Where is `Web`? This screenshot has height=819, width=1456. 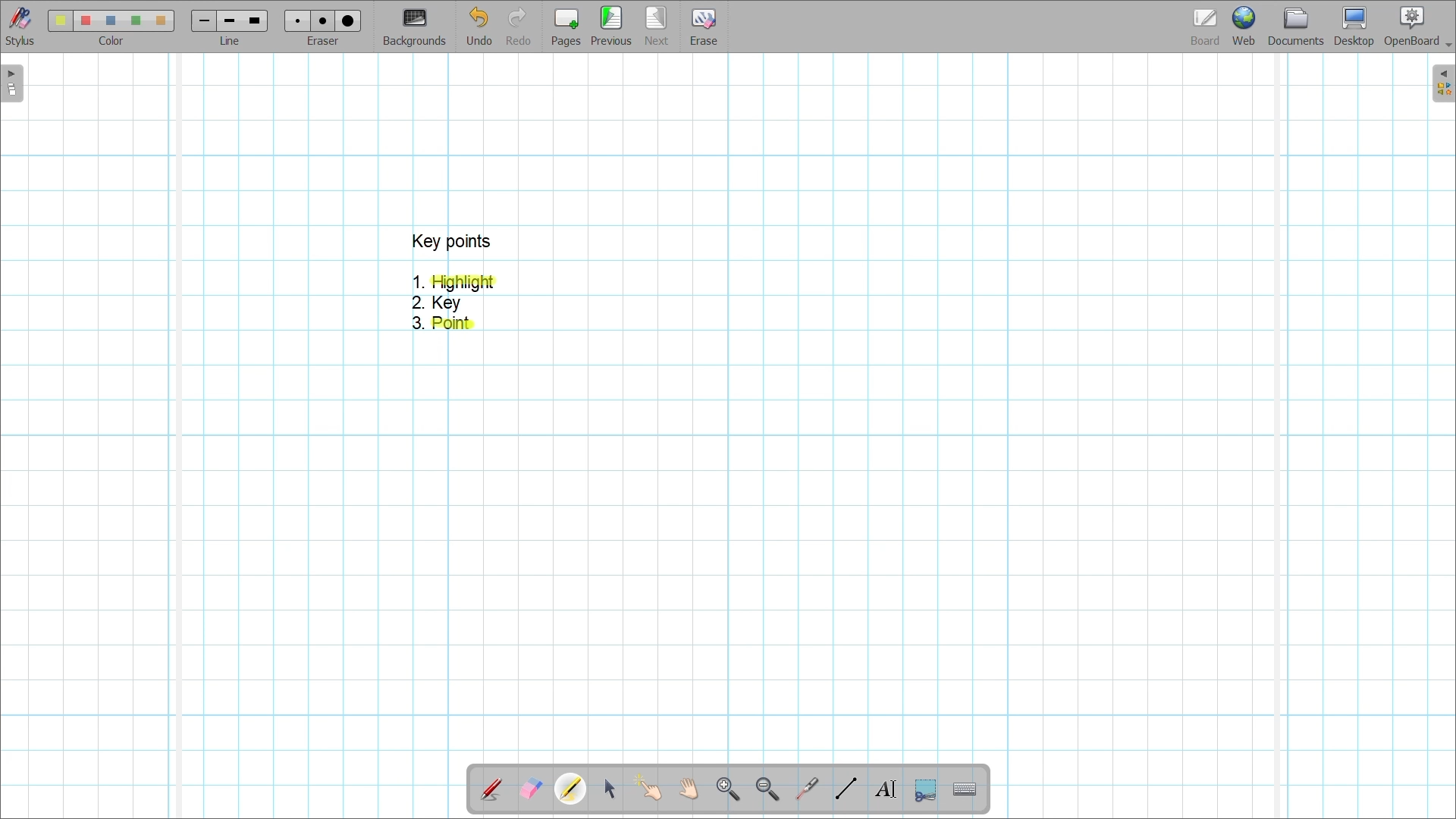 Web is located at coordinates (1244, 26).